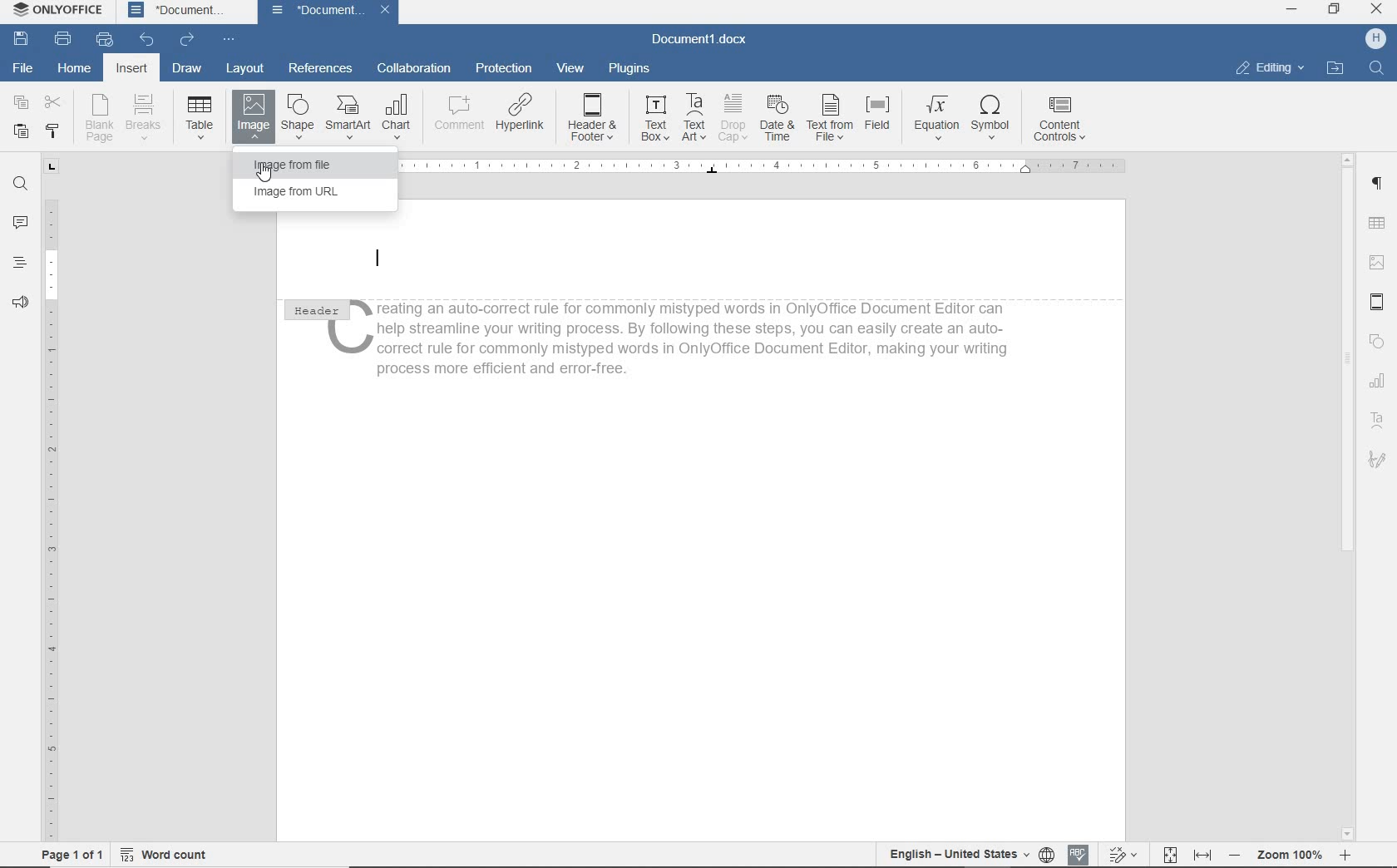  What do you see at coordinates (1375, 8) in the screenshot?
I see `CLOSE` at bounding box center [1375, 8].